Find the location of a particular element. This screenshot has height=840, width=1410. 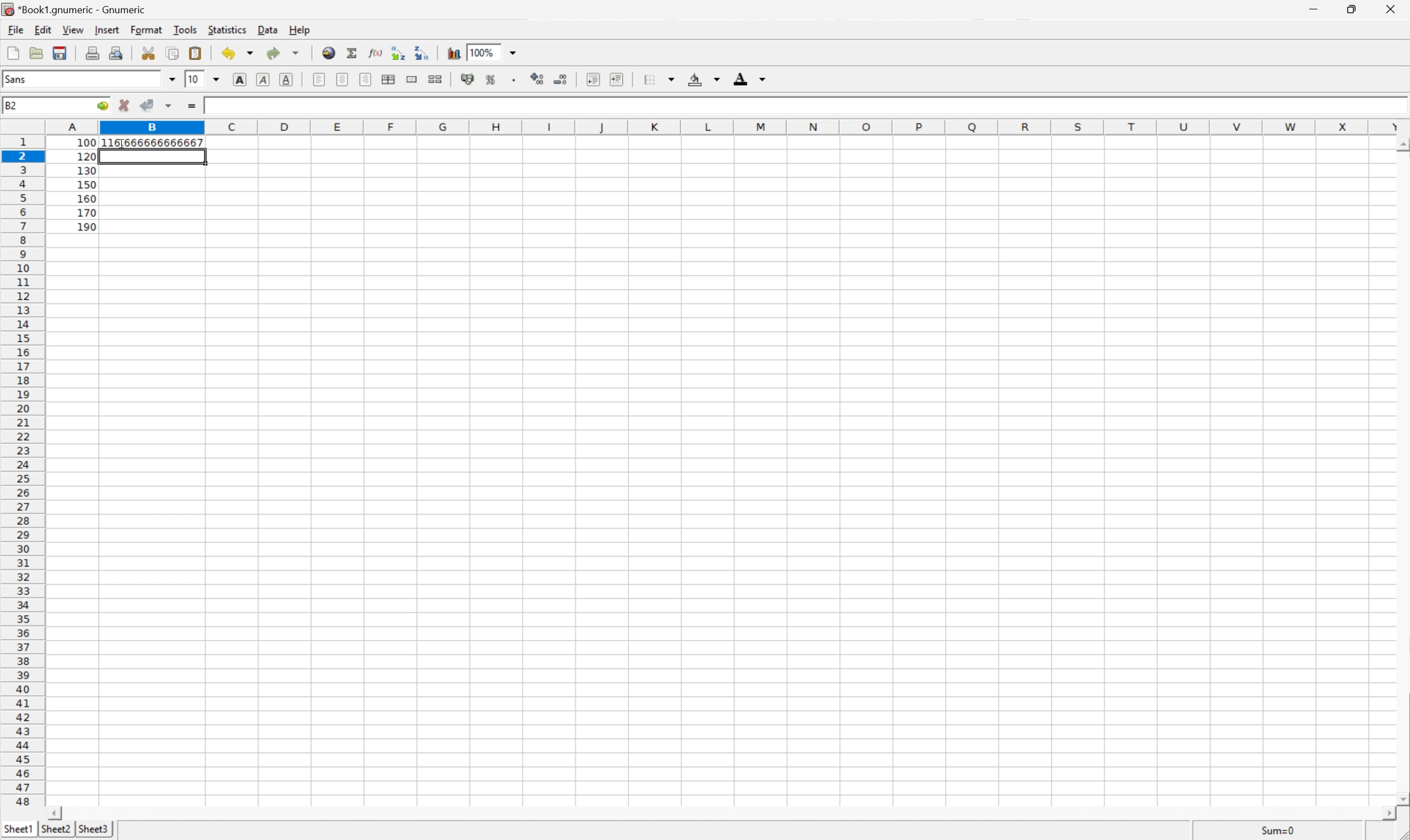

Row number is located at coordinates (22, 472).